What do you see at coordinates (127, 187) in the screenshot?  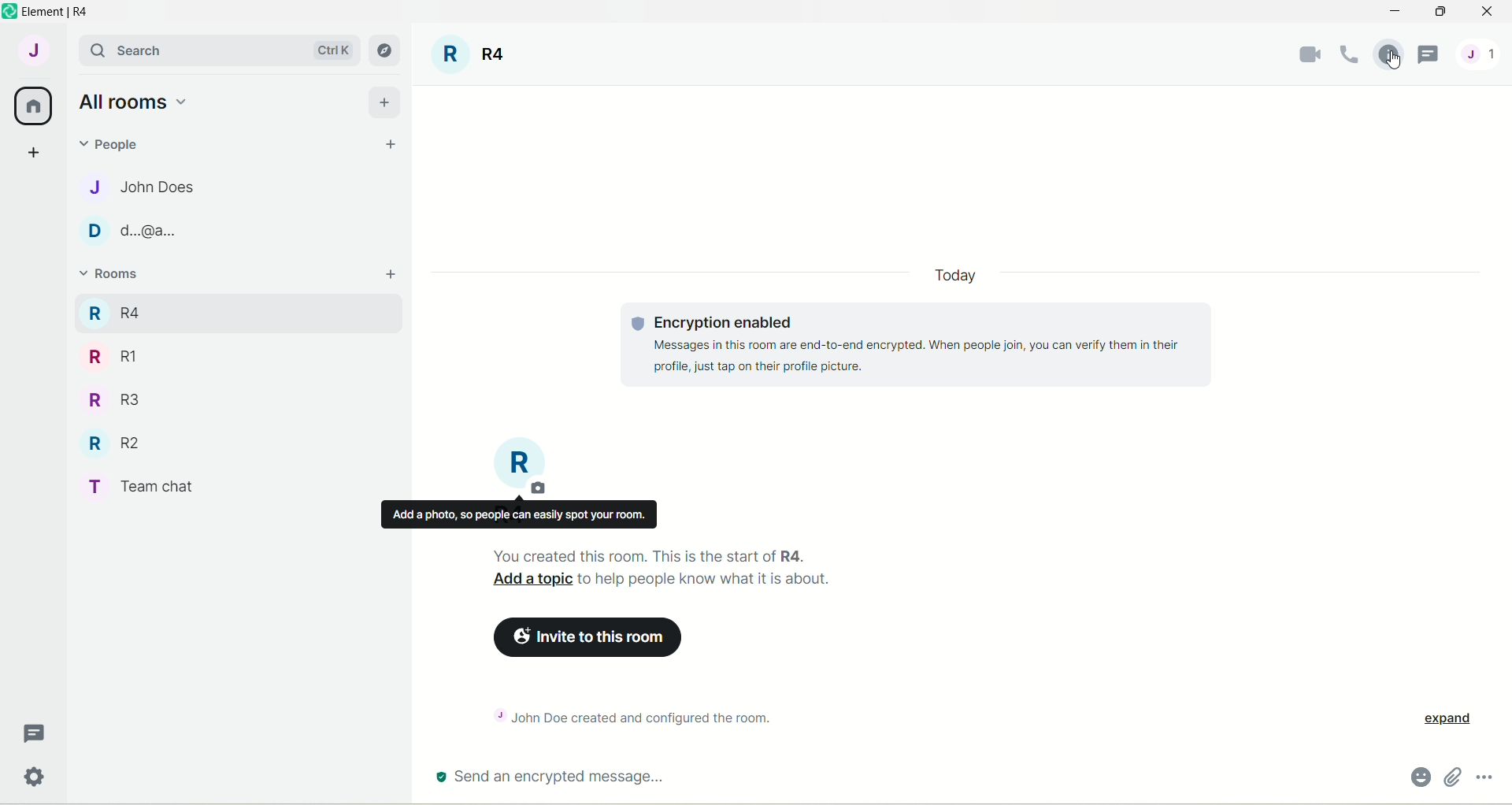 I see `J John Does` at bounding box center [127, 187].